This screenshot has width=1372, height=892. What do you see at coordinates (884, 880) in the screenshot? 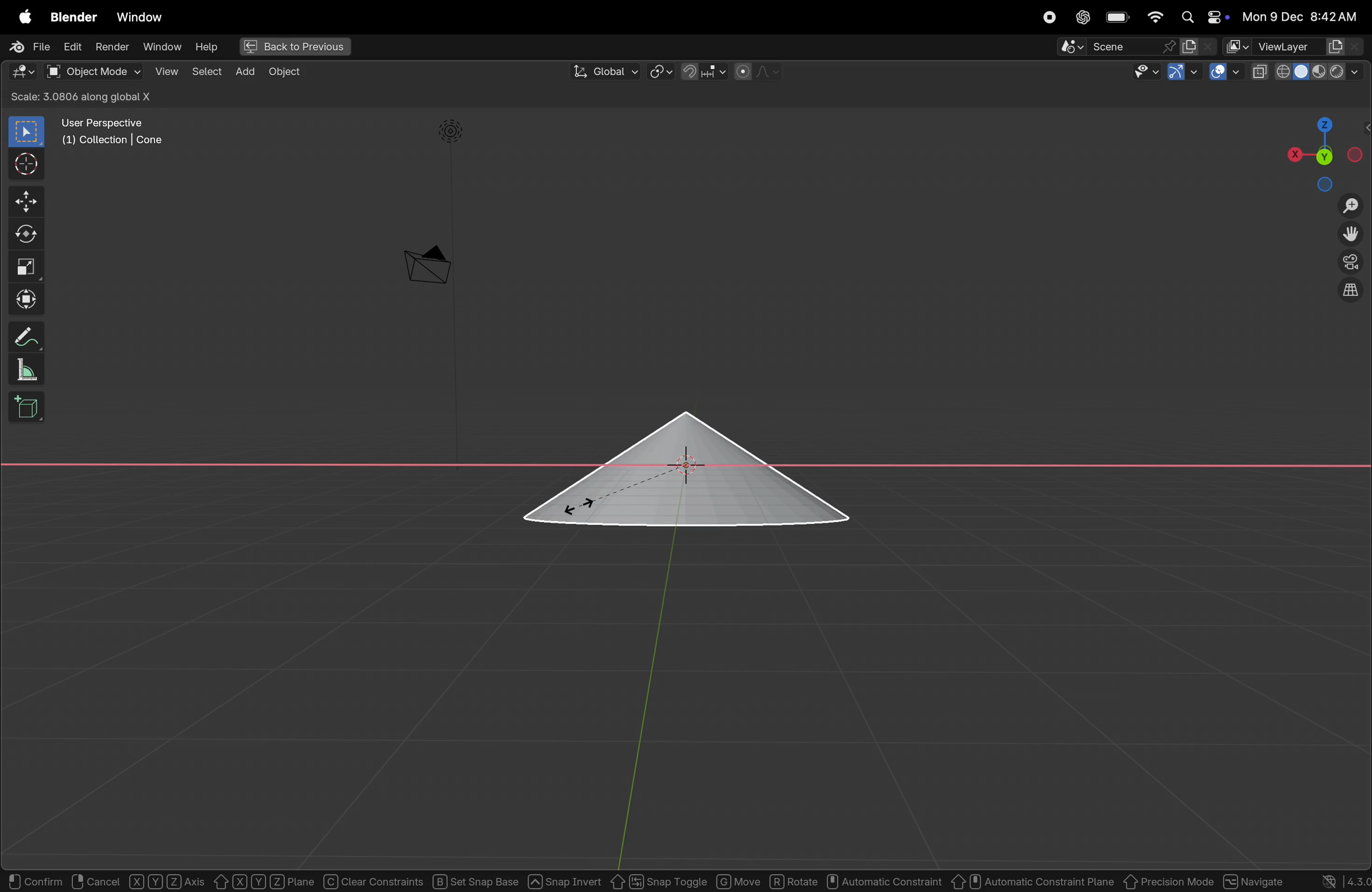
I see `automatic constraint` at bounding box center [884, 880].